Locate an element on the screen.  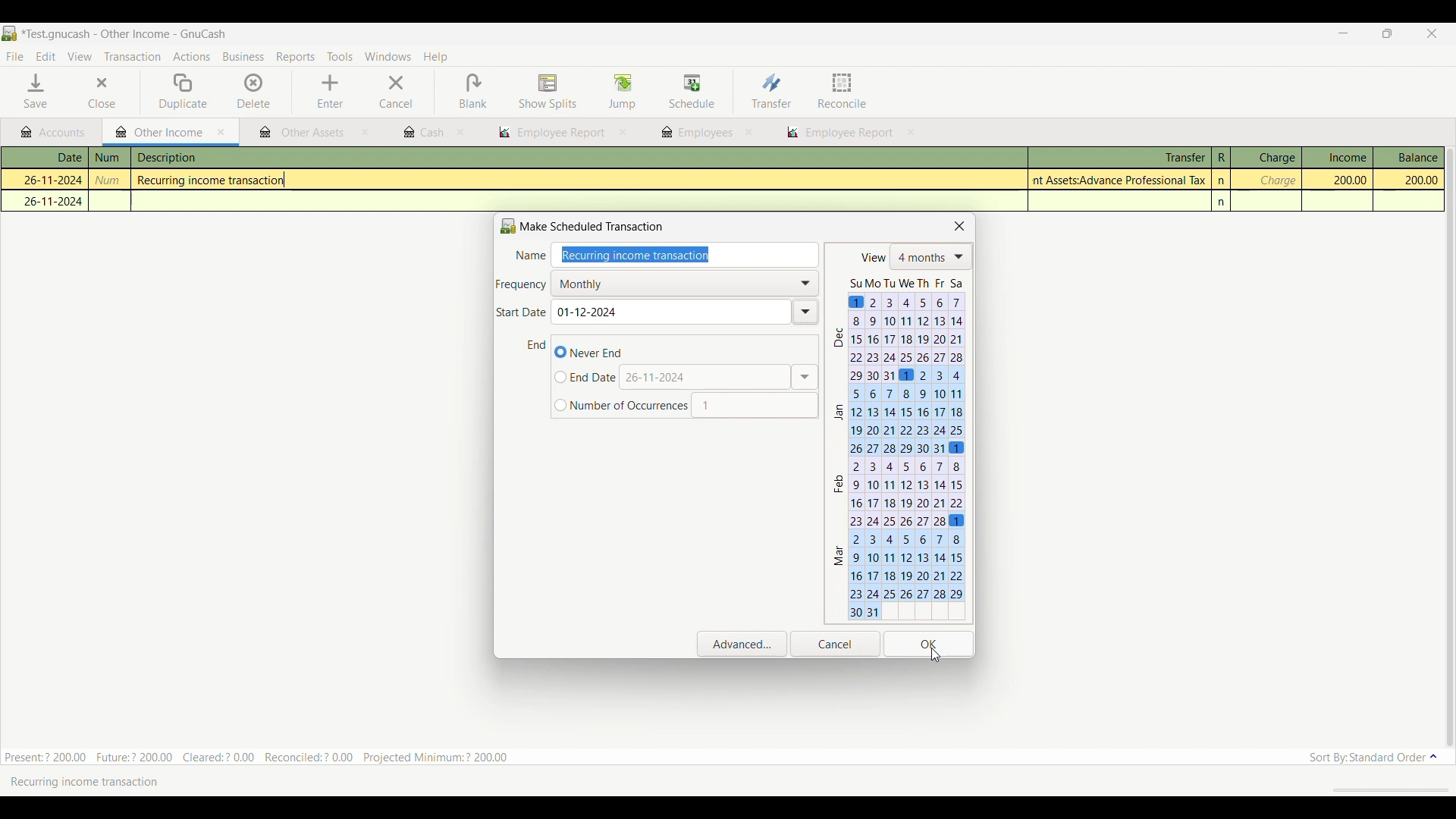
Reports menu is located at coordinates (297, 57).